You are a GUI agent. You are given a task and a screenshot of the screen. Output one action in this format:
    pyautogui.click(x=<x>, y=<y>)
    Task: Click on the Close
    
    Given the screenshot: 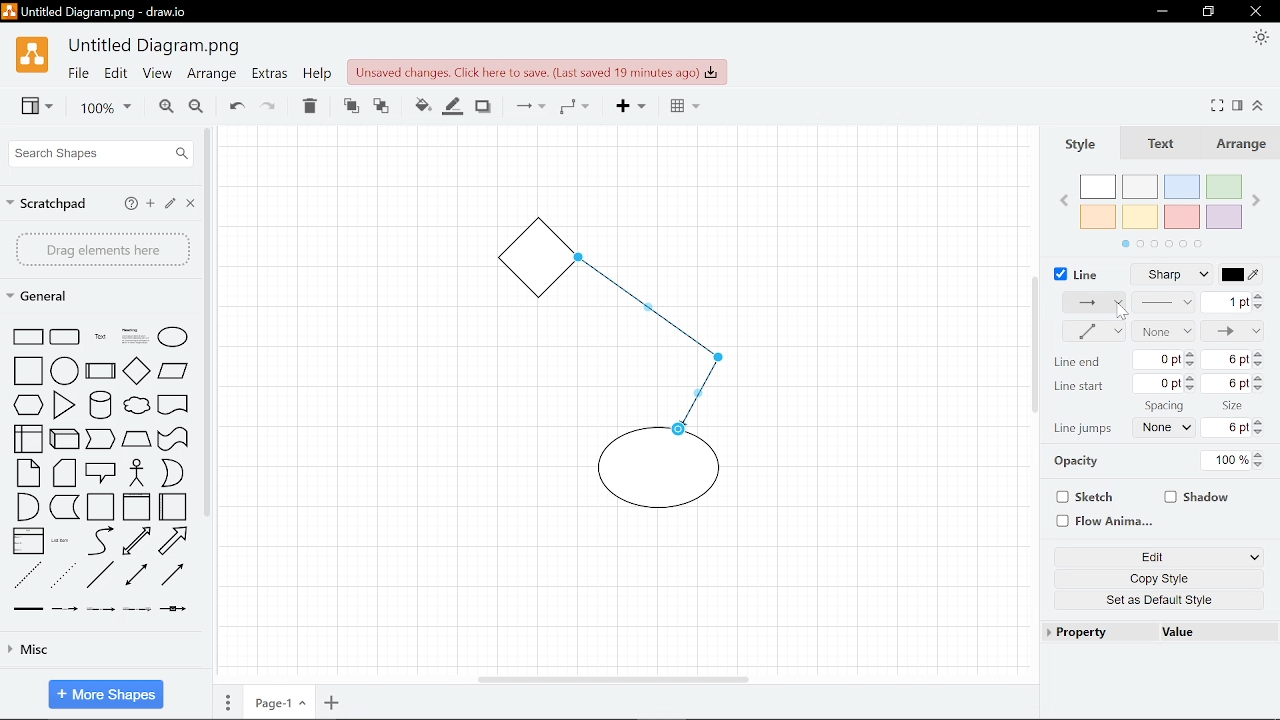 What is the action you would take?
    pyautogui.click(x=192, y=205)
    